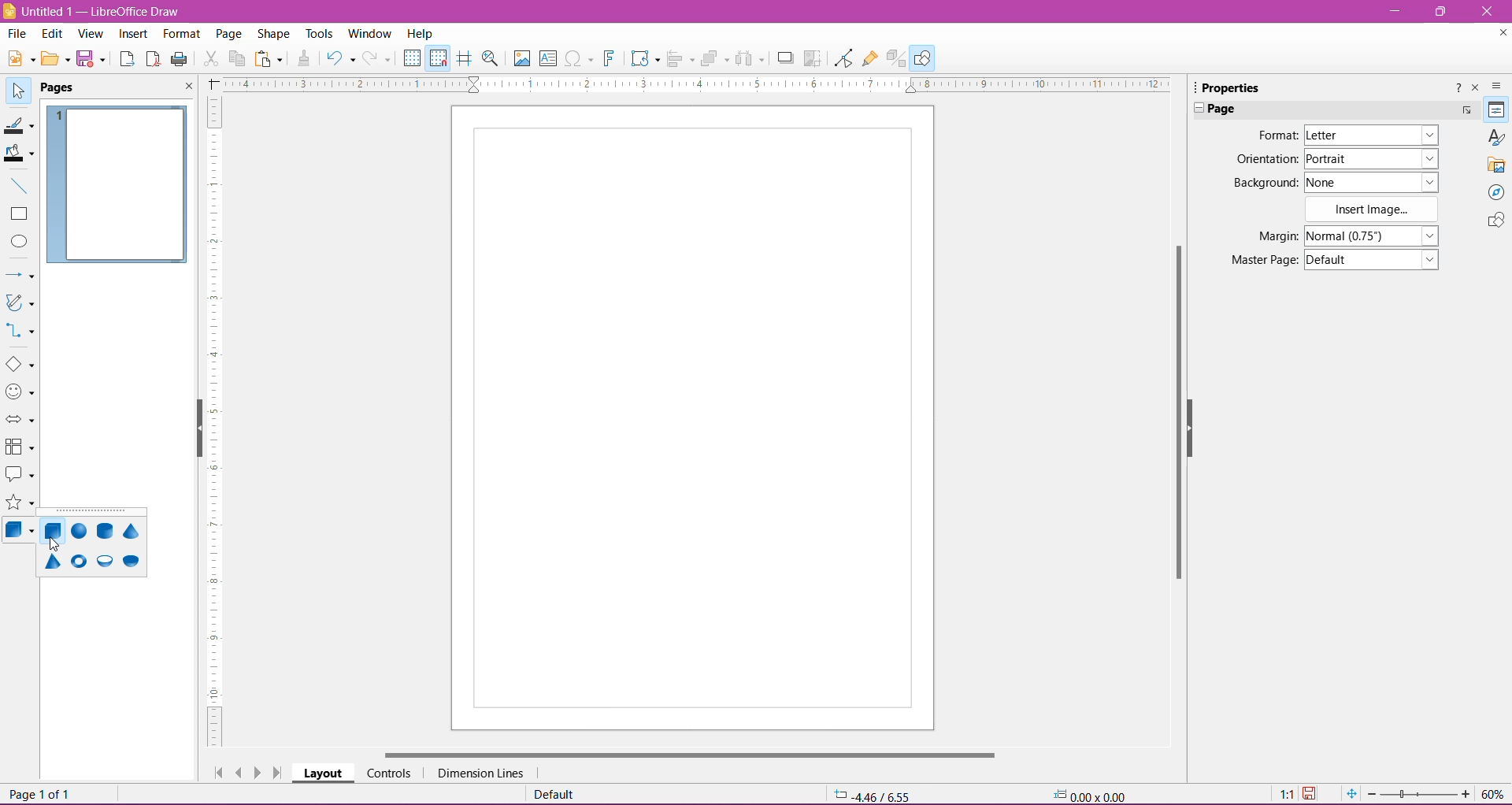 The image size is (1512, 805). I want to click on Ellipse, so click(18, 242).